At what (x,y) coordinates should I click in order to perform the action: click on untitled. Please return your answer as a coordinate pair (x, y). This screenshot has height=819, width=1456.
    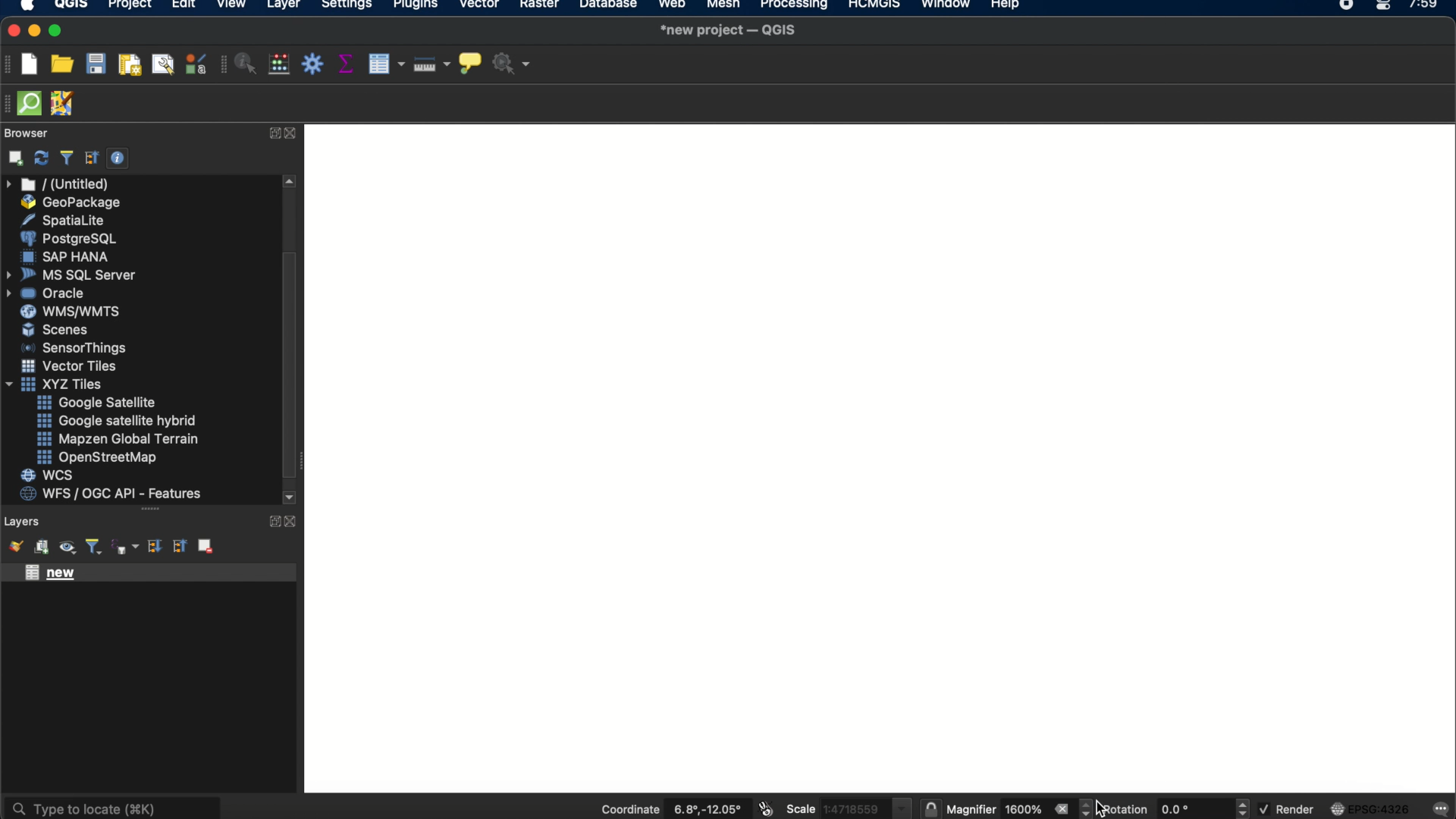
    Looking at the image, I should click on (59, 184).